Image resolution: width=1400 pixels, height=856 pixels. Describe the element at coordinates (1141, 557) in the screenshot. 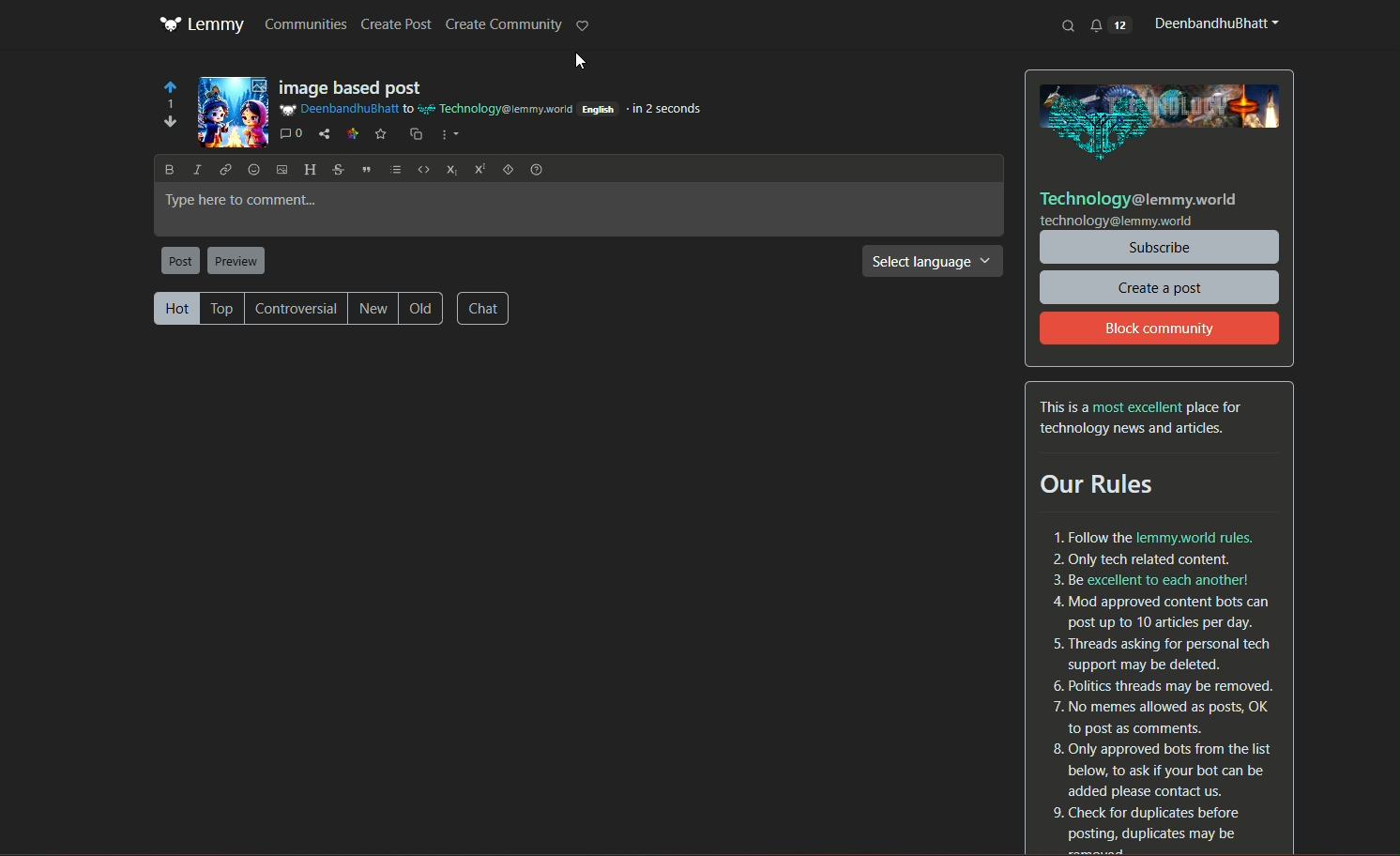

I see `2. Only tech related content.` at that location.